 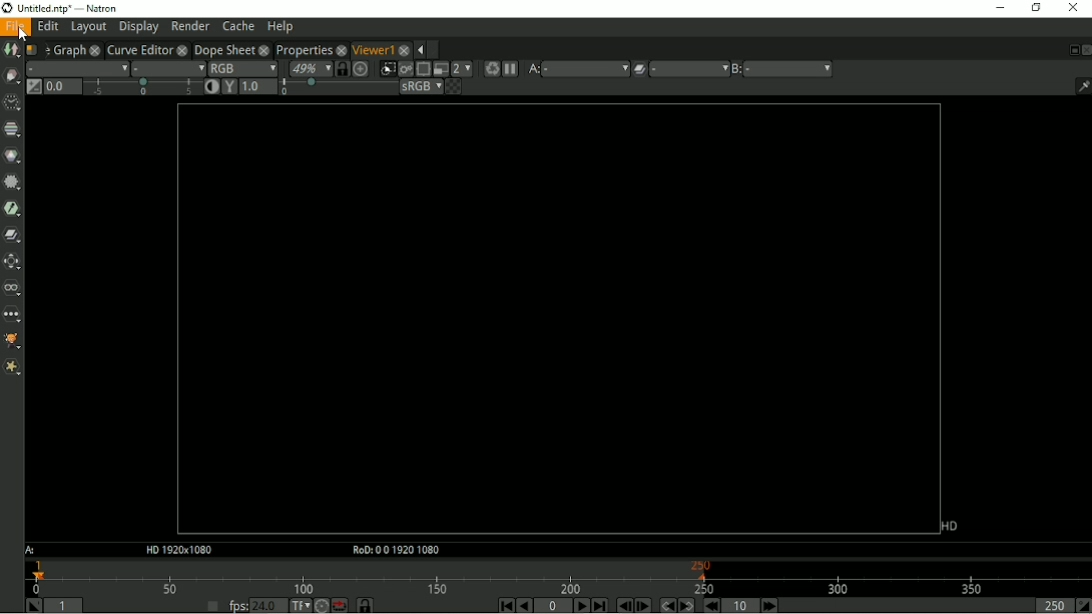 I want to click on HD, so click(x=177, y=550).